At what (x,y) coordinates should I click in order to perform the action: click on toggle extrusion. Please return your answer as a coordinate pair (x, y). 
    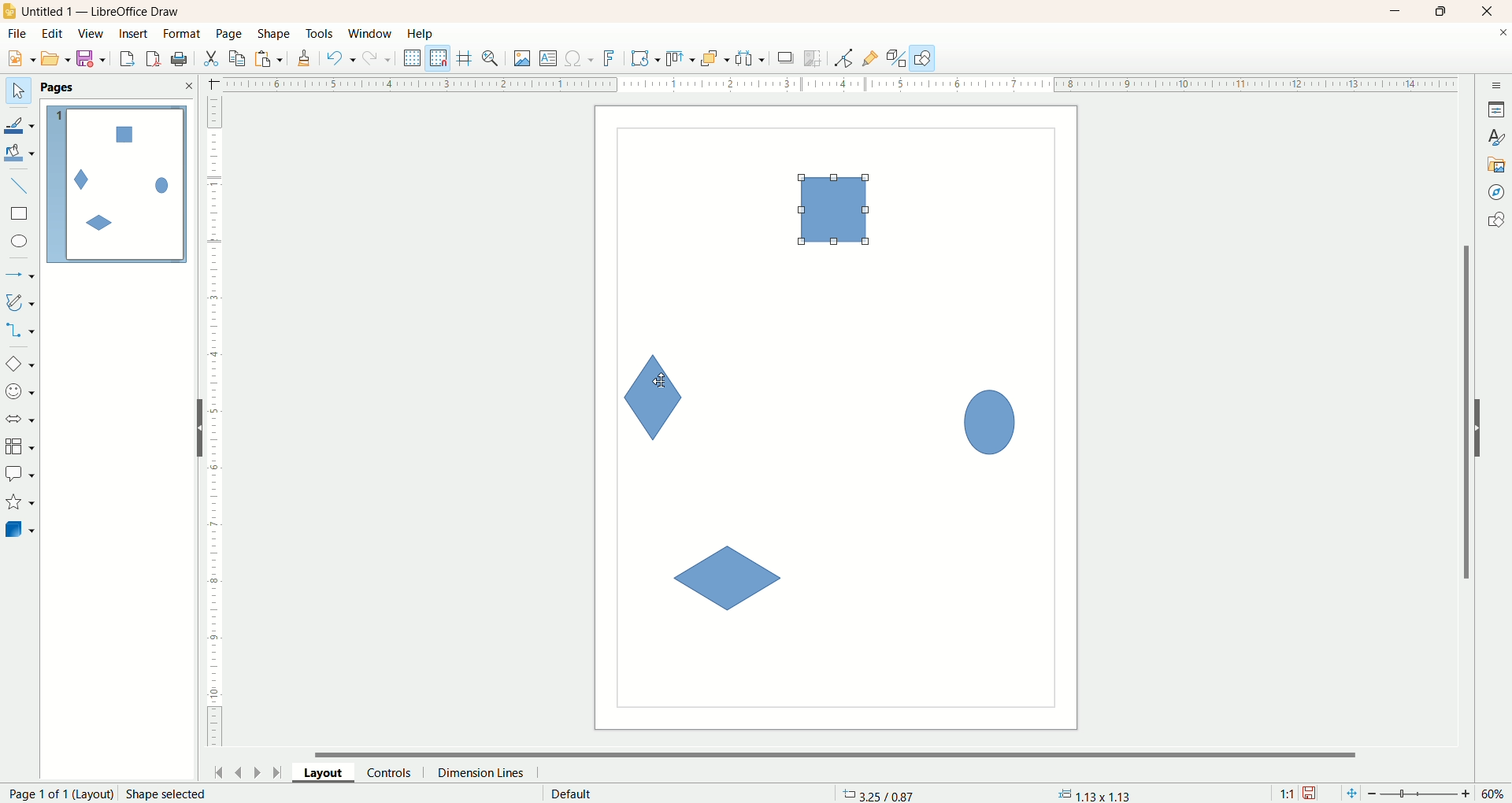
    Looking at the image, I should click on (896, 58).